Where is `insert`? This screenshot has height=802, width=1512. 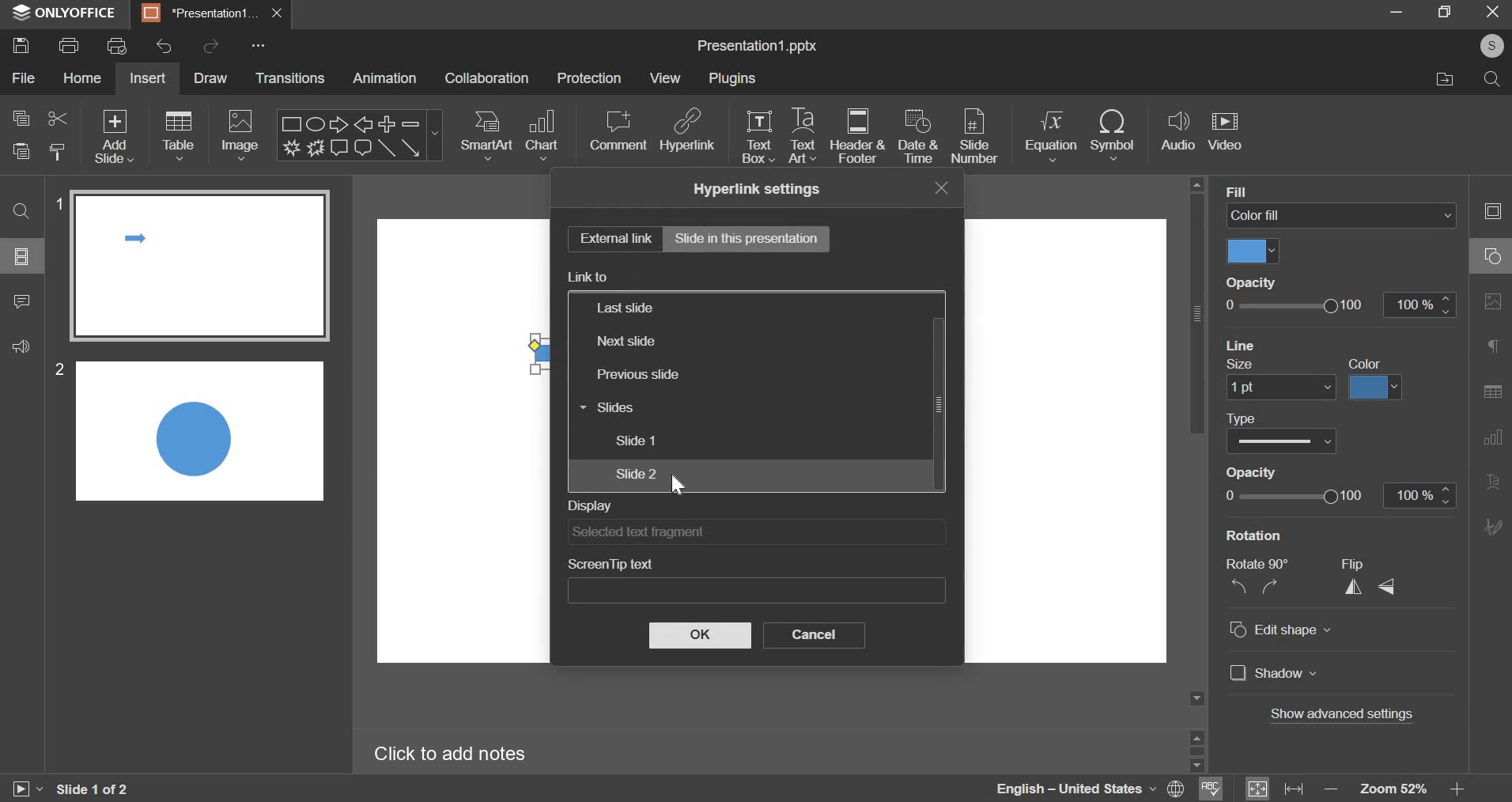 insert is located at coordinates (146, 79).